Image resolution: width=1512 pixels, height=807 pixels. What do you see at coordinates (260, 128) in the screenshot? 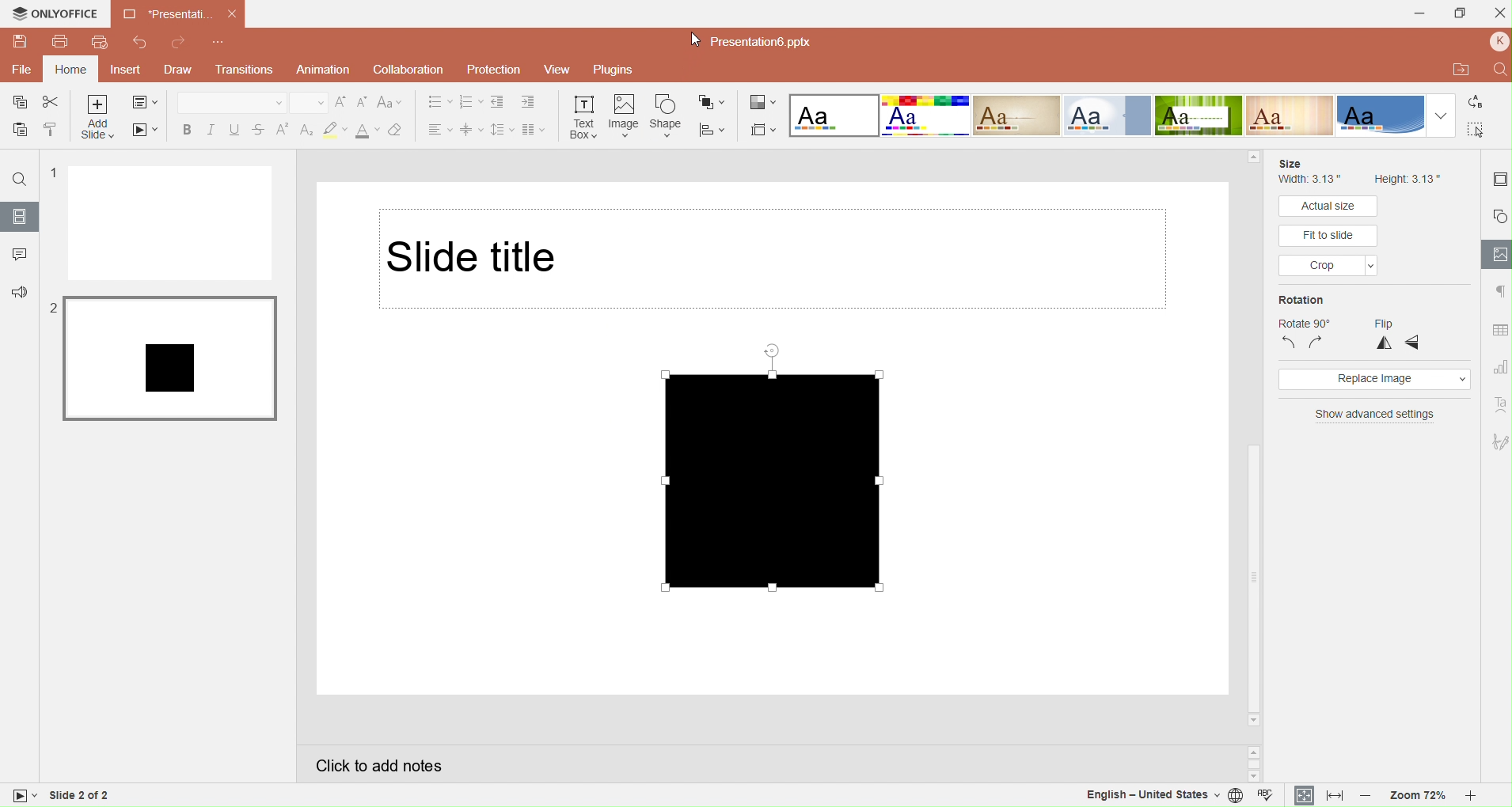
I see `Strikethrough` at bounding box center [260, 128].